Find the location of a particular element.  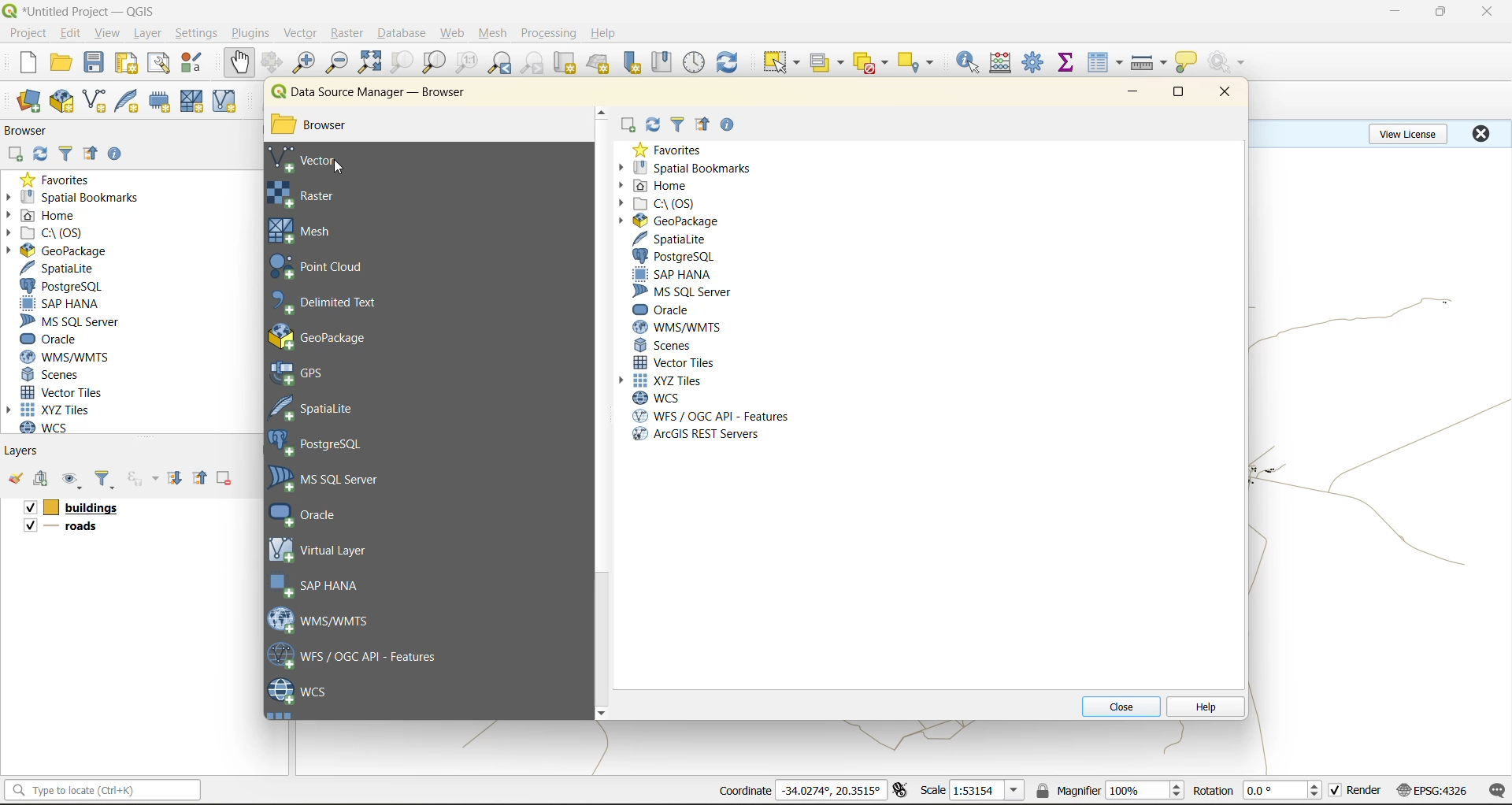

rotation is located at coordinates (1285, 791).